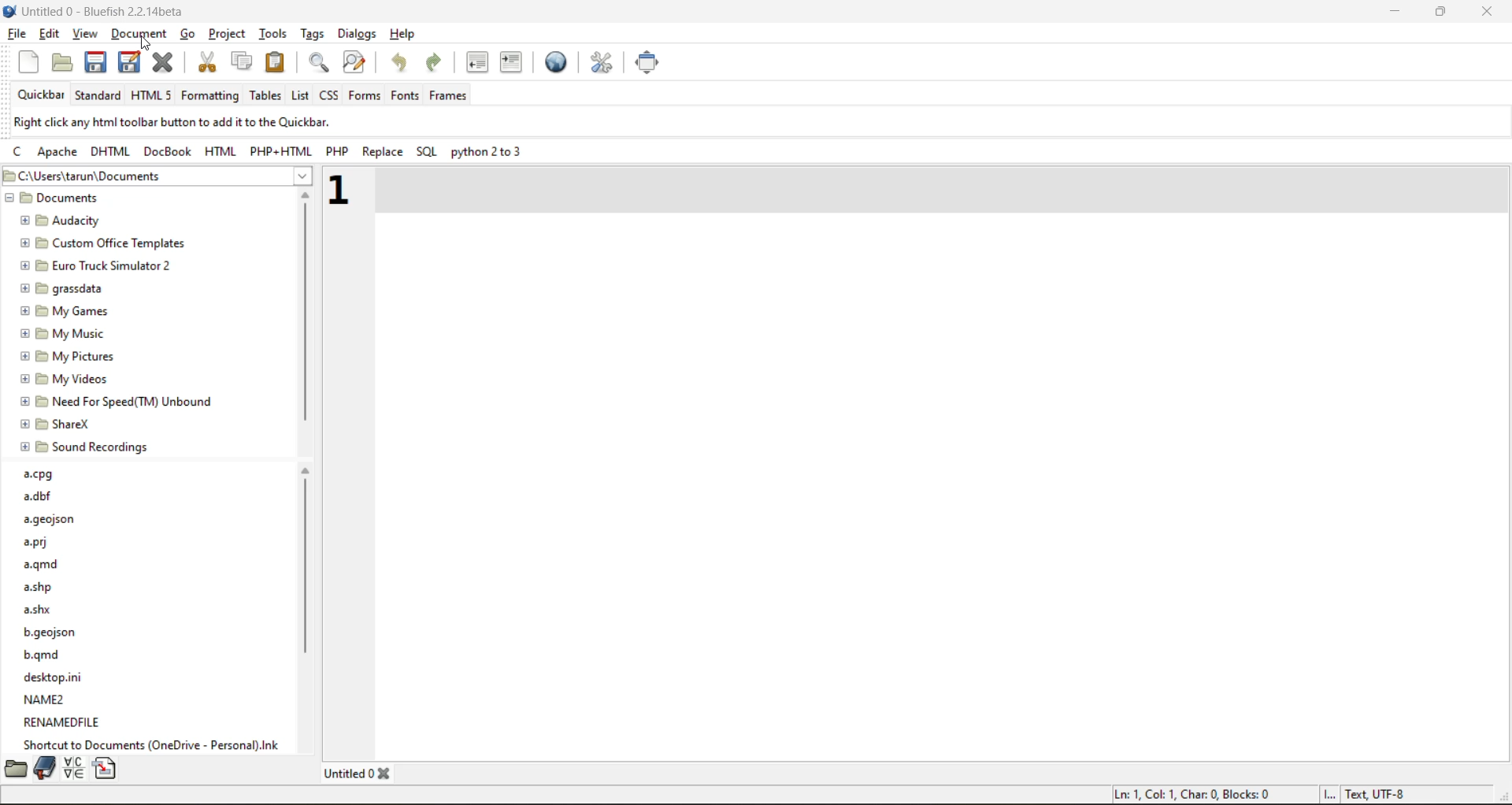 This screenshot has height=805, width=1512. What do you see at coordinates (39, 542) in the screenshot?
I see `a.prj` at bounding box center [39, 542].